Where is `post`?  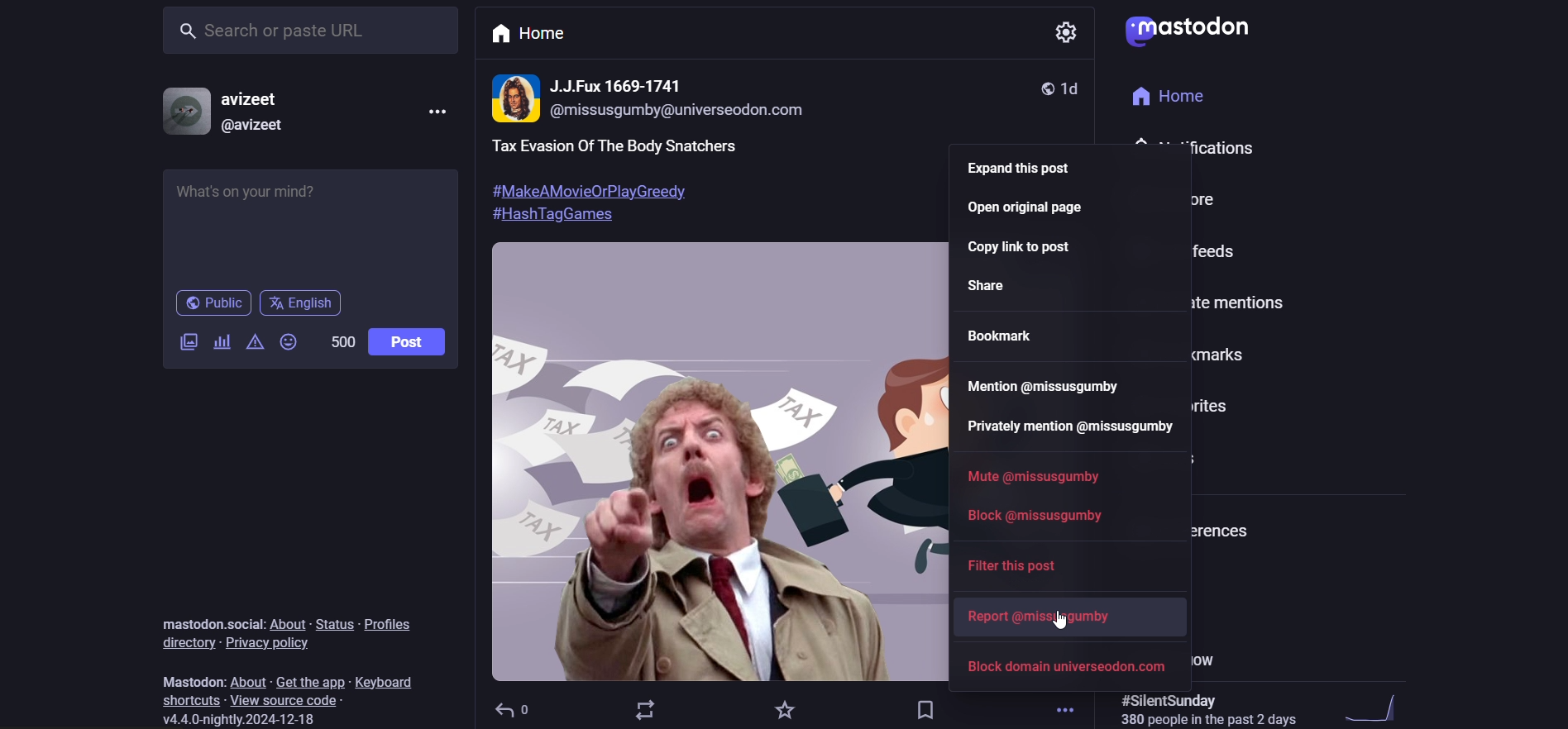
post is located at coordinates (700, 181).